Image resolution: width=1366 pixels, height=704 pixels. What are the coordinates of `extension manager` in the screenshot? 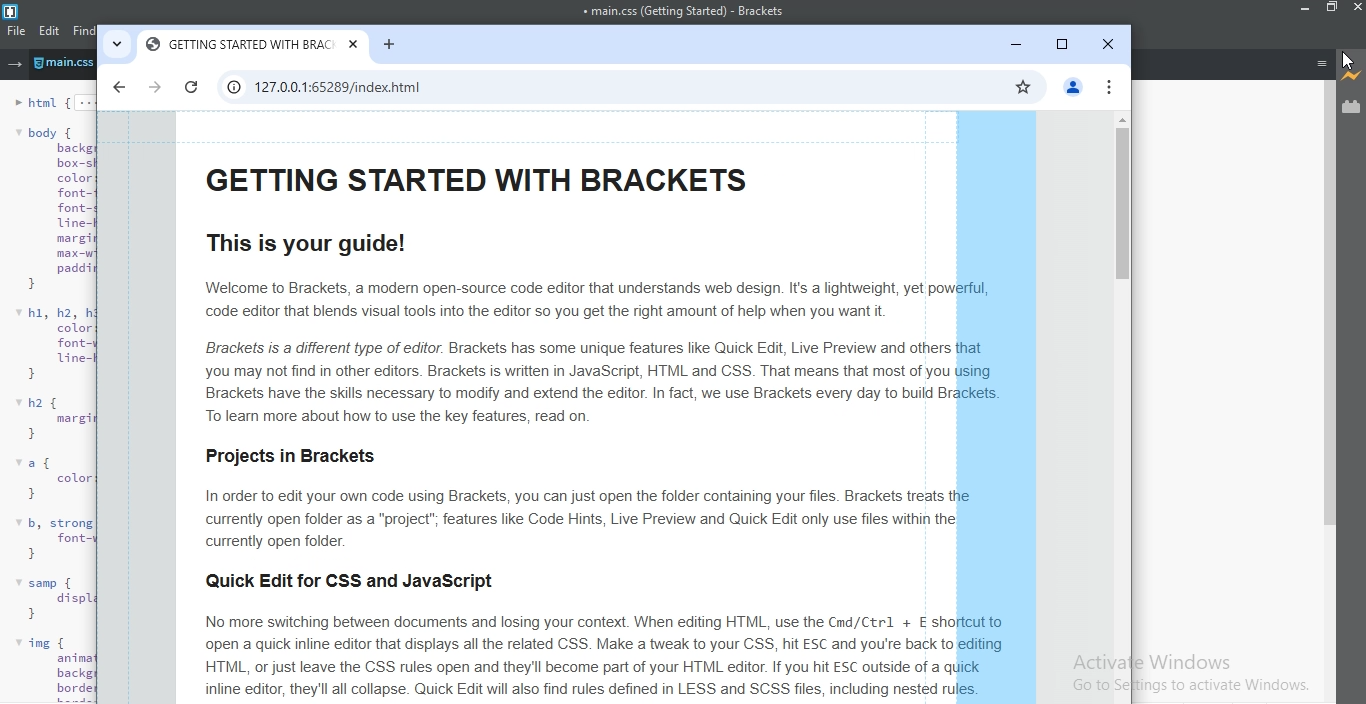 It's located at (1353, 107).